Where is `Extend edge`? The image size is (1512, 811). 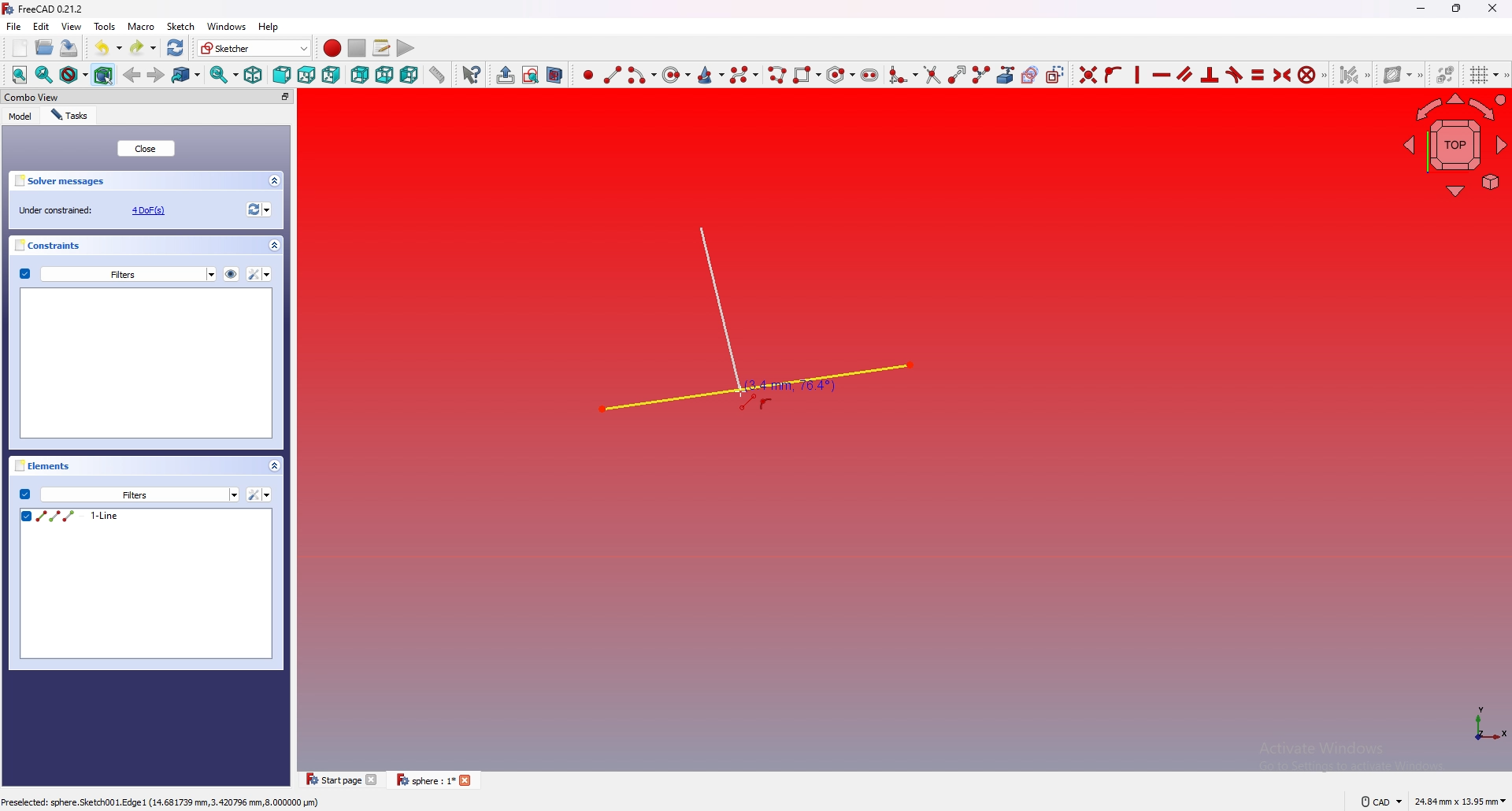 Extend edge is located at coordinates (955, 74).